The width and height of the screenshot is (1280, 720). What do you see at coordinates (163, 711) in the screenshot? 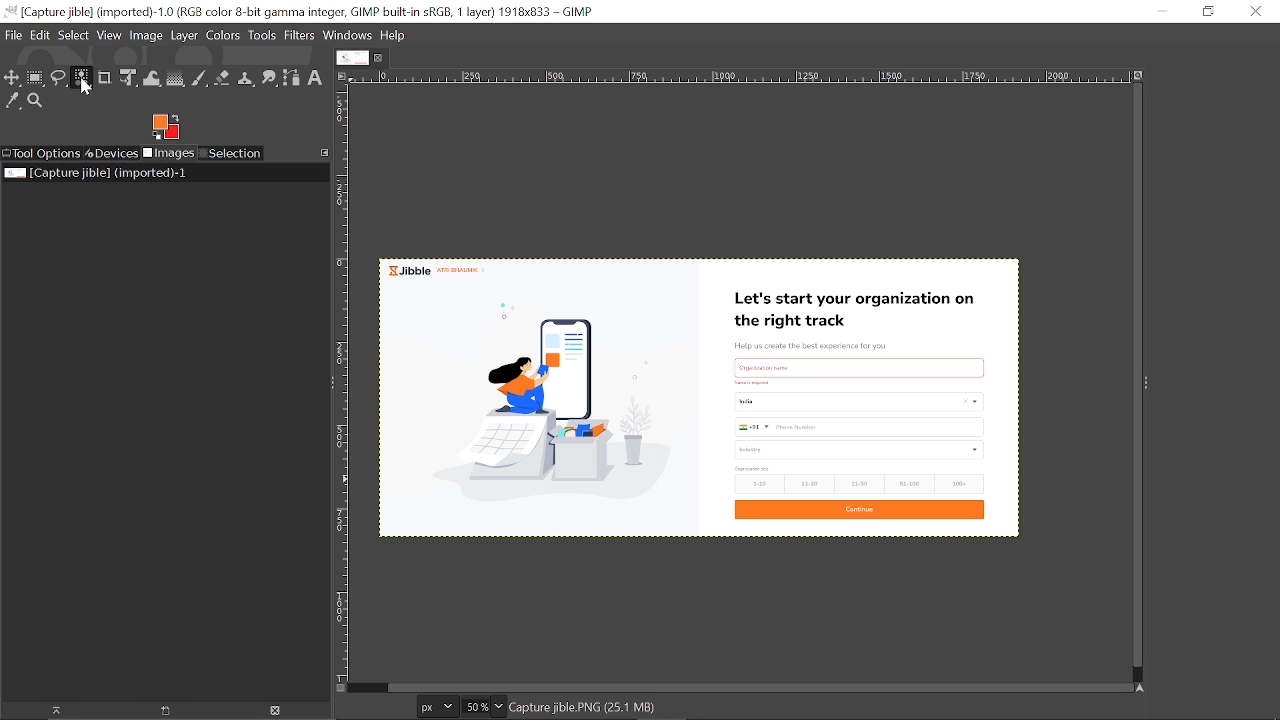
I see `new display for this image ` at bounding box center [163, 711].